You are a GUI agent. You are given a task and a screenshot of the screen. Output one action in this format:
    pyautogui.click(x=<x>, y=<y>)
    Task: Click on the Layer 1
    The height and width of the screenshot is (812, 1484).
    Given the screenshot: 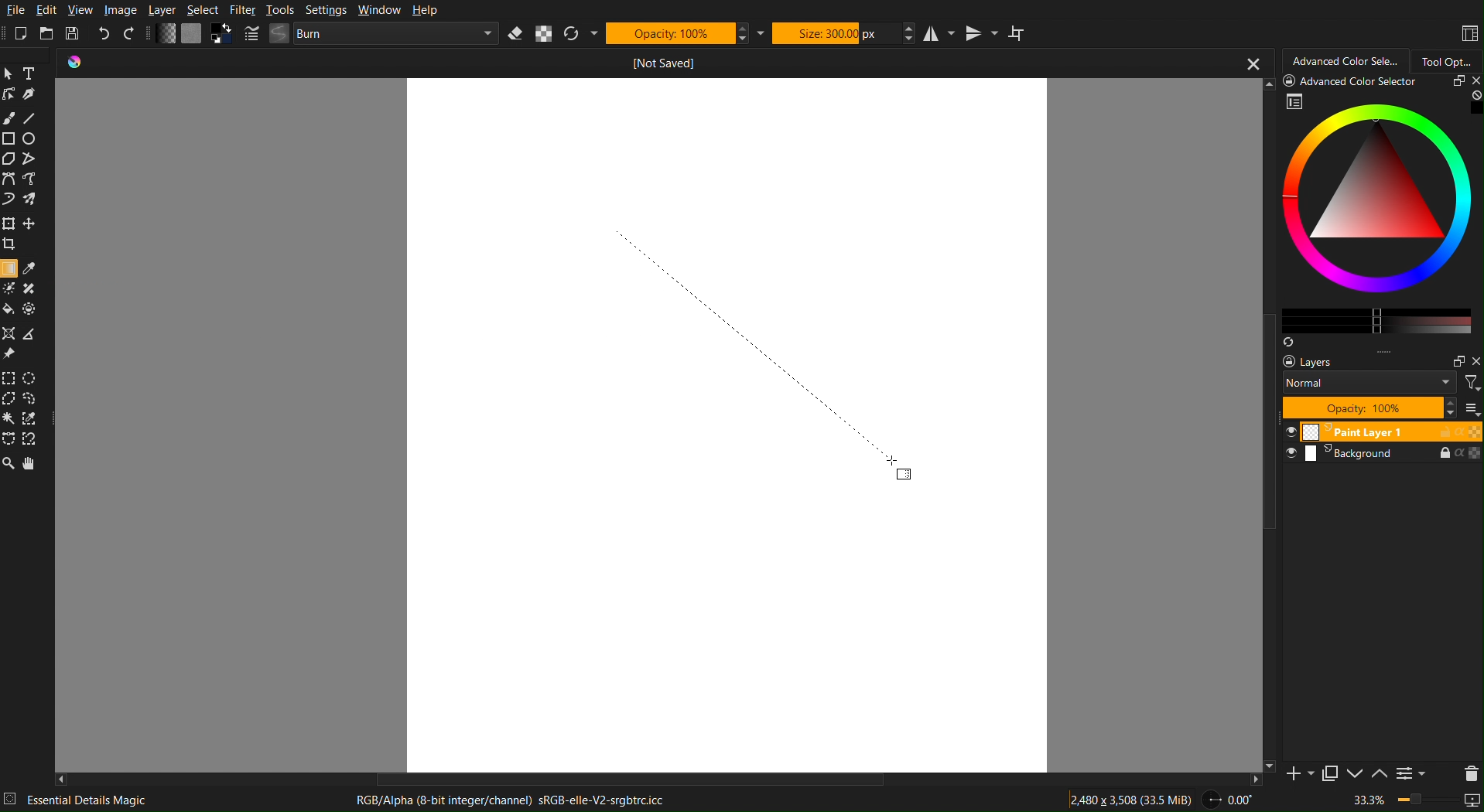 What is the action you would take?
    pyautogui.click(x=1381, y=432)
    